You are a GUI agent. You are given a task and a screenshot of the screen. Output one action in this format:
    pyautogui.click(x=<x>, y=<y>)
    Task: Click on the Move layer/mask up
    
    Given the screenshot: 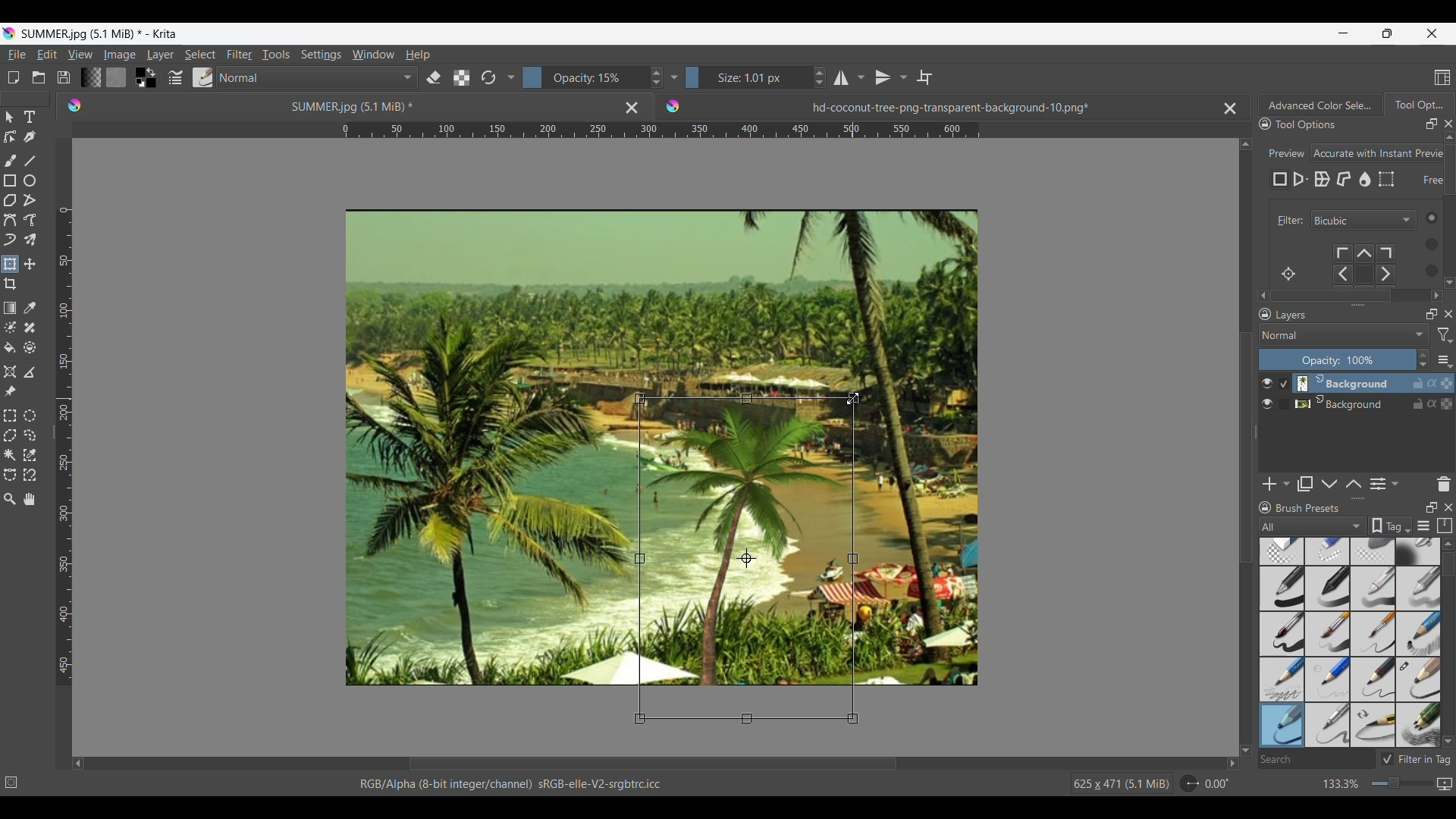 What is the action you would take?
    pyautogui.click(x=1354, y=484)
    